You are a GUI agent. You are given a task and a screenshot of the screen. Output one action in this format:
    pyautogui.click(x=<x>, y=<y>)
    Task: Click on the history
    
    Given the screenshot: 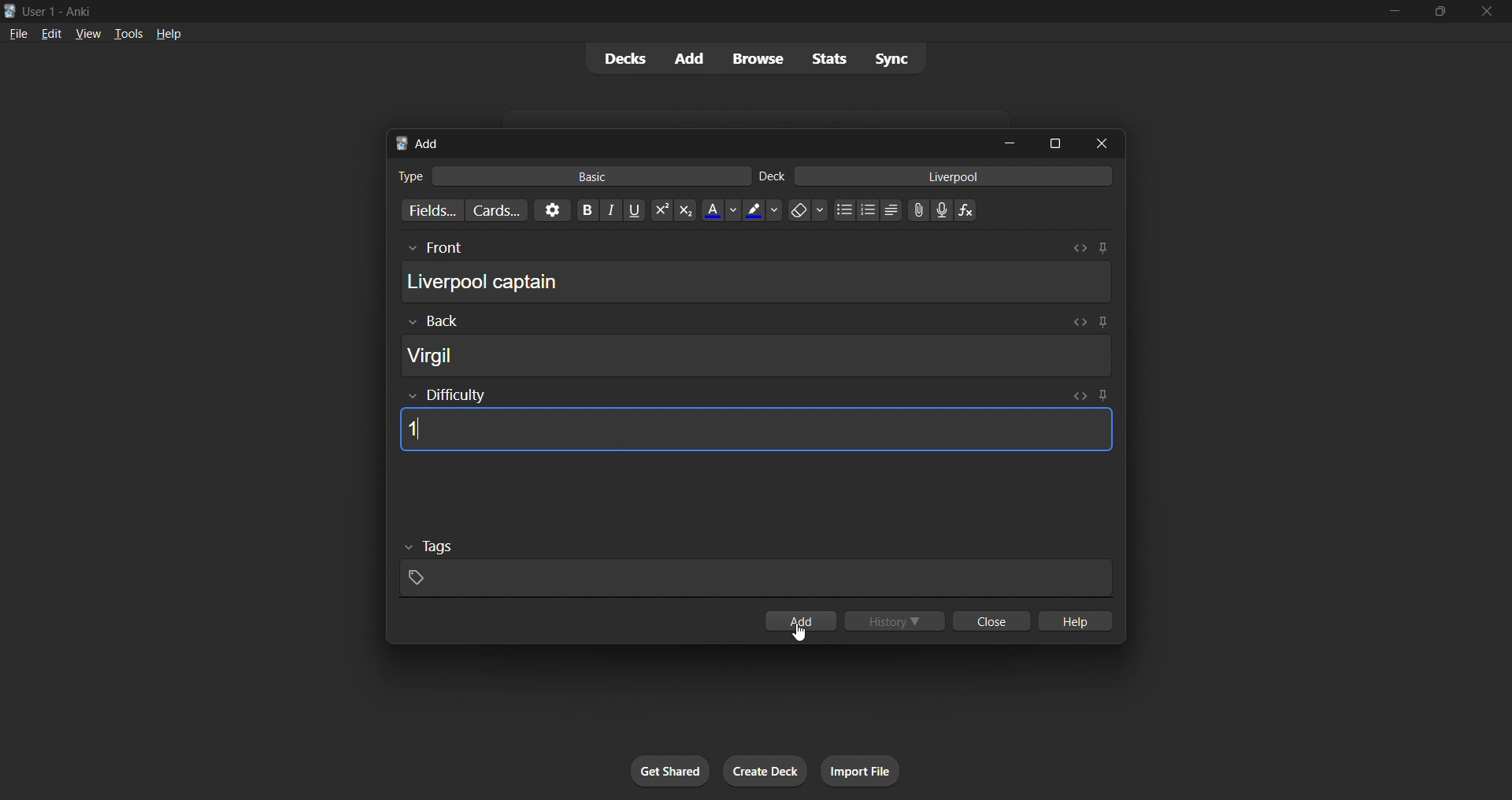 What is the action you would take?
    pyautogui.click(x=895, y=620)
    